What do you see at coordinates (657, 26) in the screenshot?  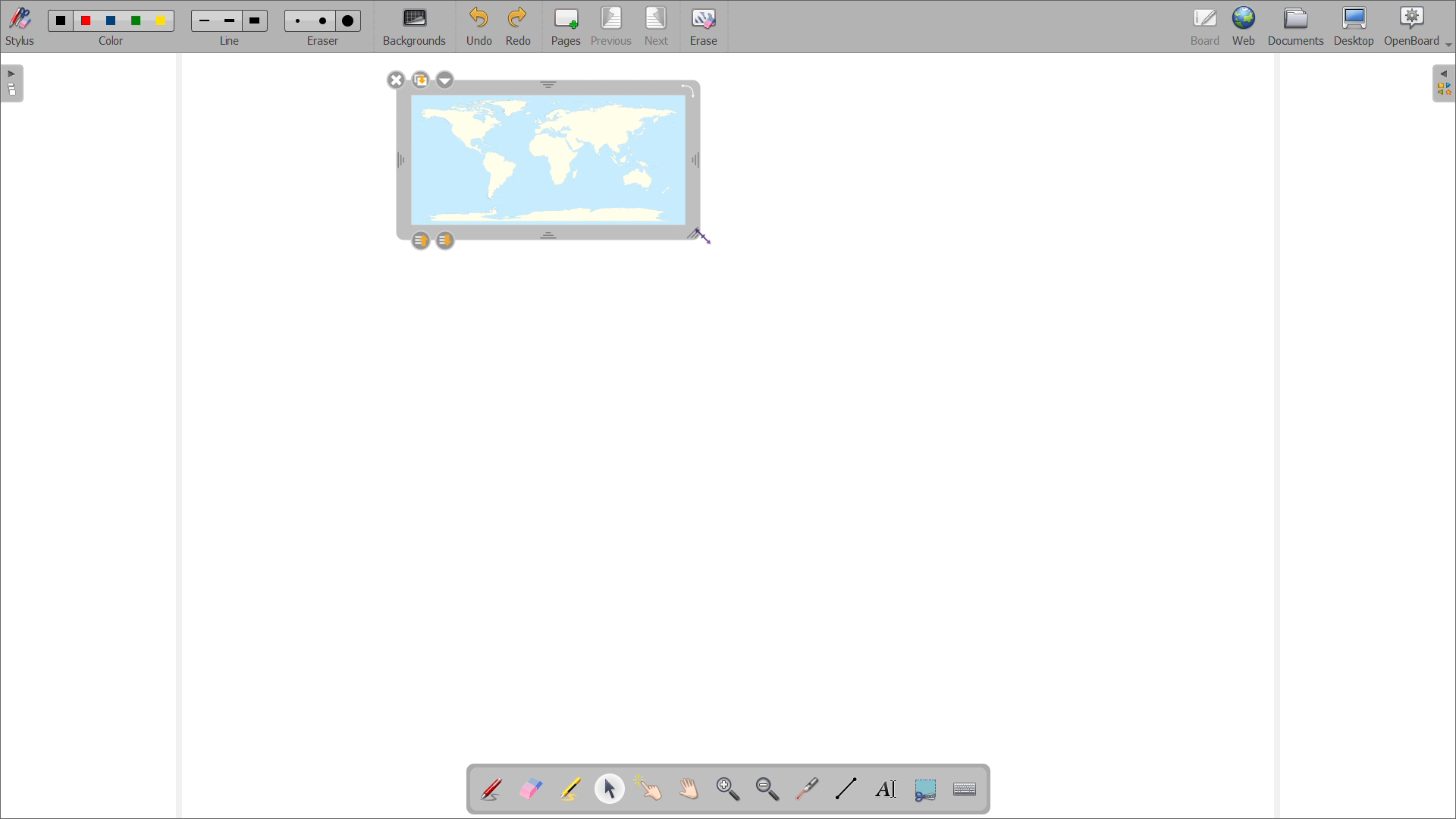 I see `next page` at bounding box center [657, 26].